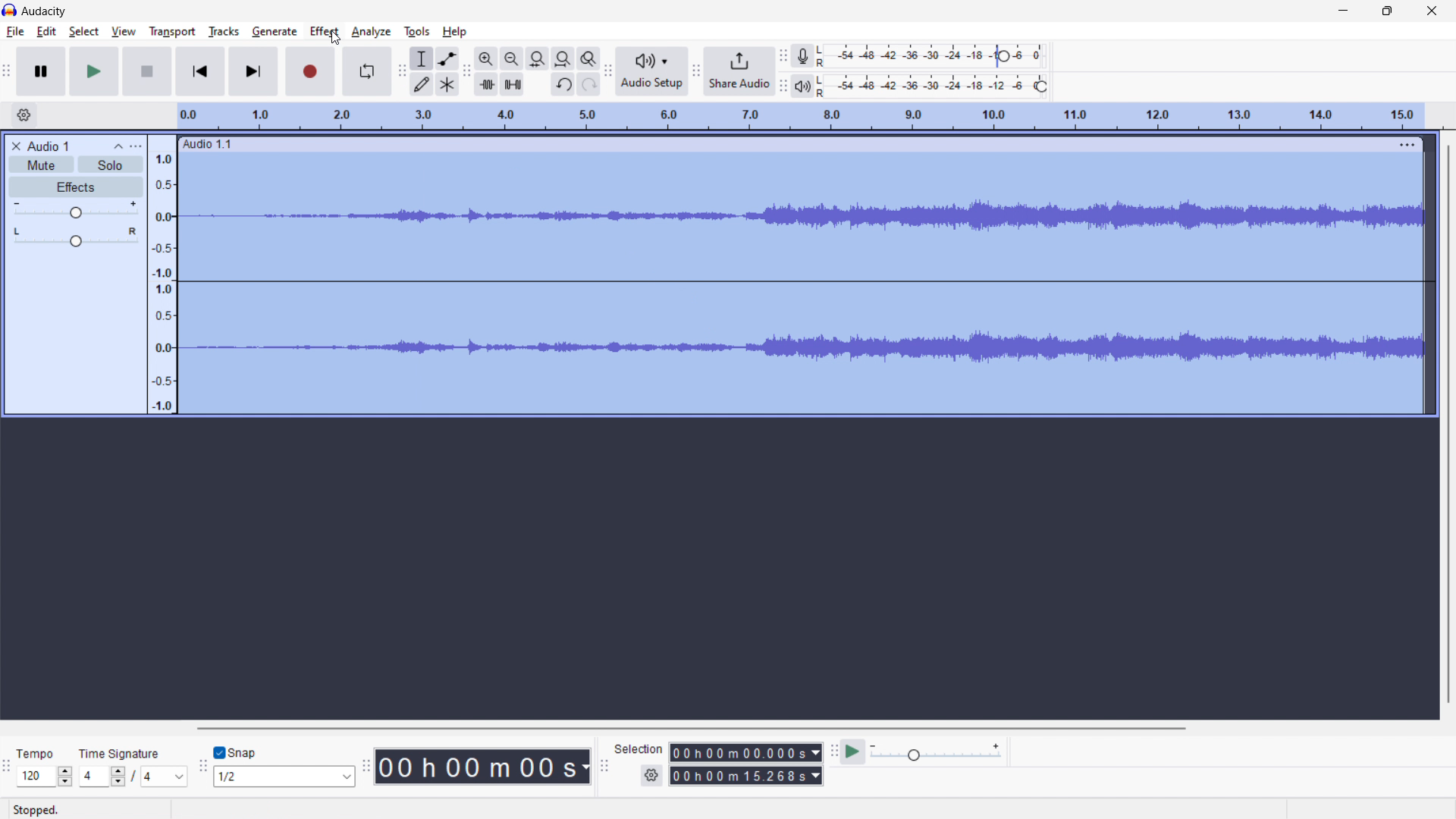 The image size is (1456, 819). I want to click on minimize, so click(1344, 13).